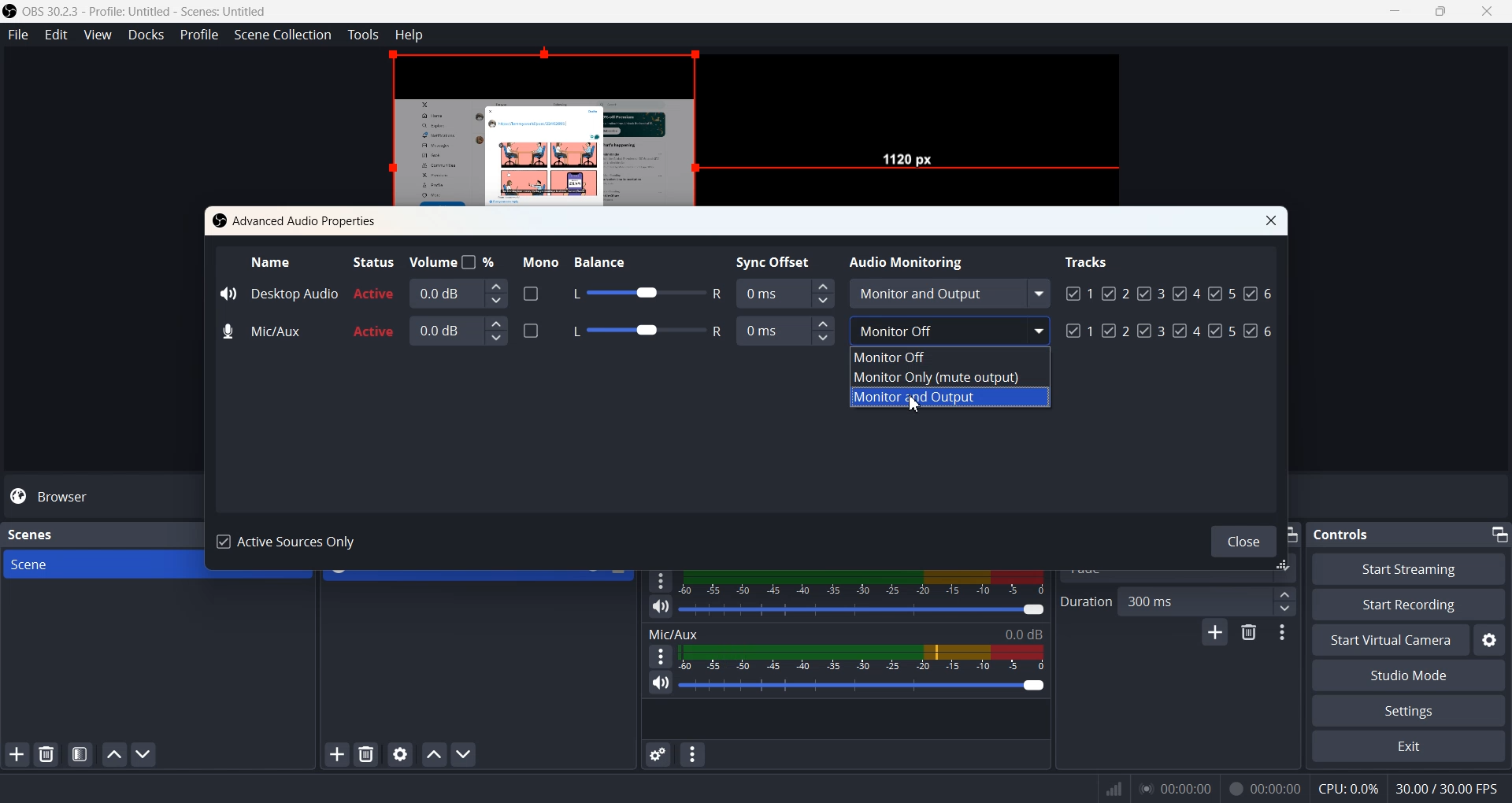  I want to click on Enable disable , so click(531, 293).